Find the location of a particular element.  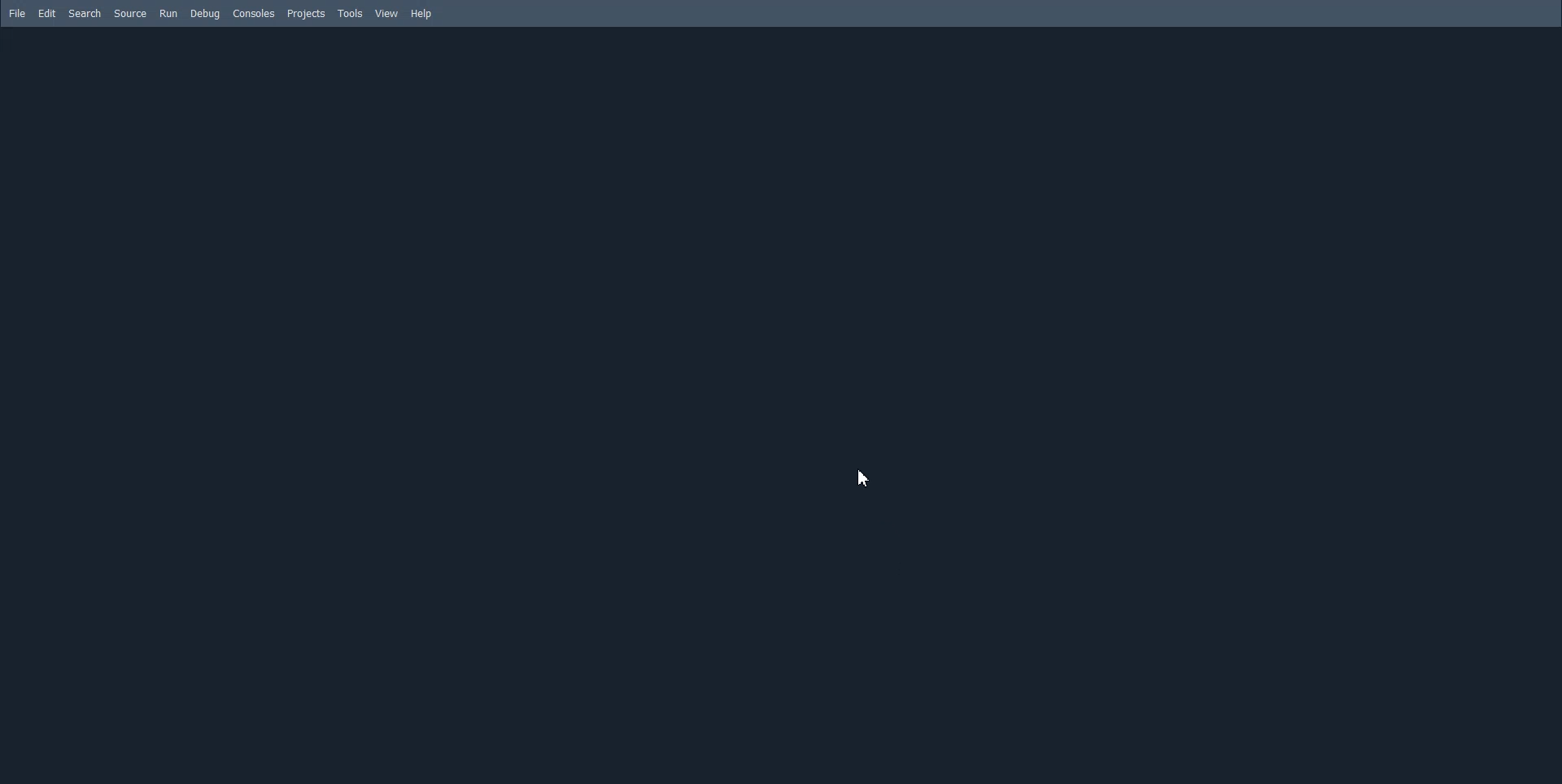

Debug is located at coordinates (205, 14).